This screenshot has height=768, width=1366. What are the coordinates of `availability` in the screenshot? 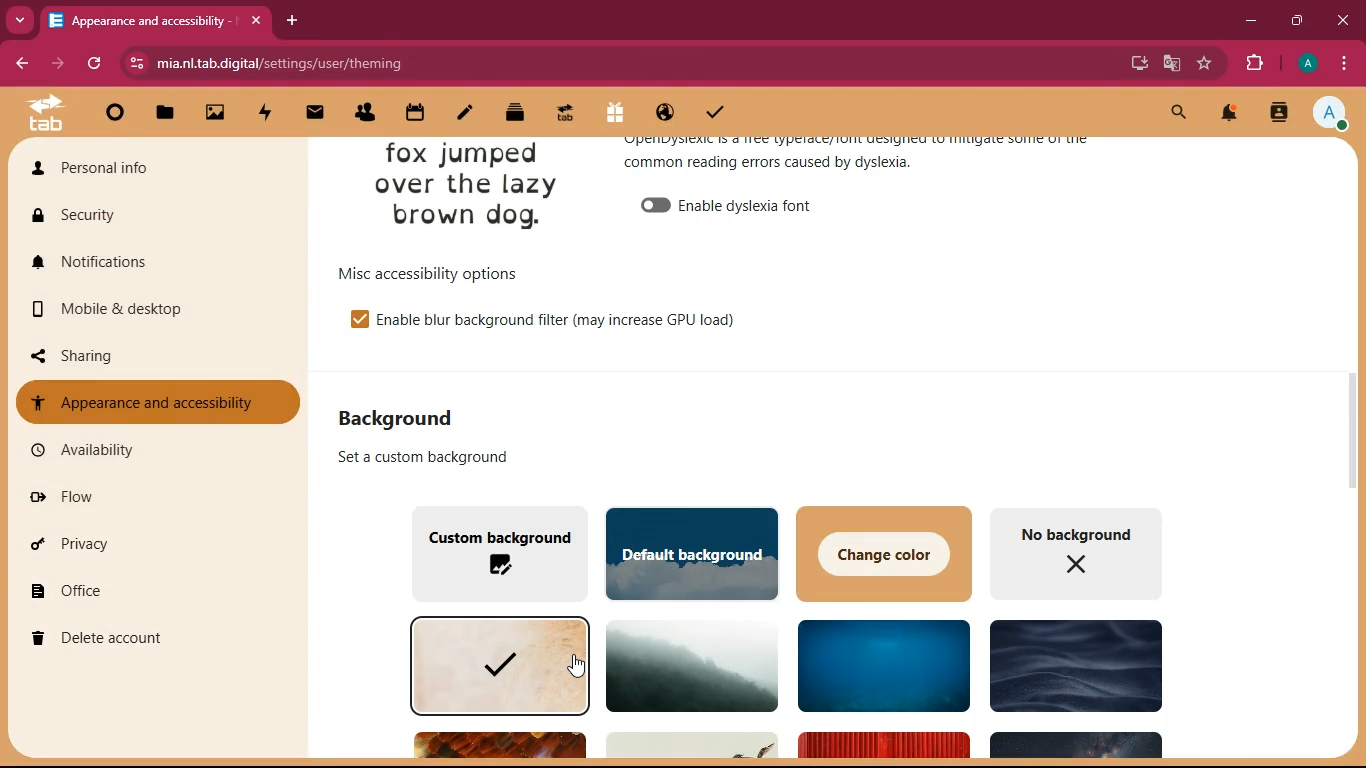 It's located at (148, 449).